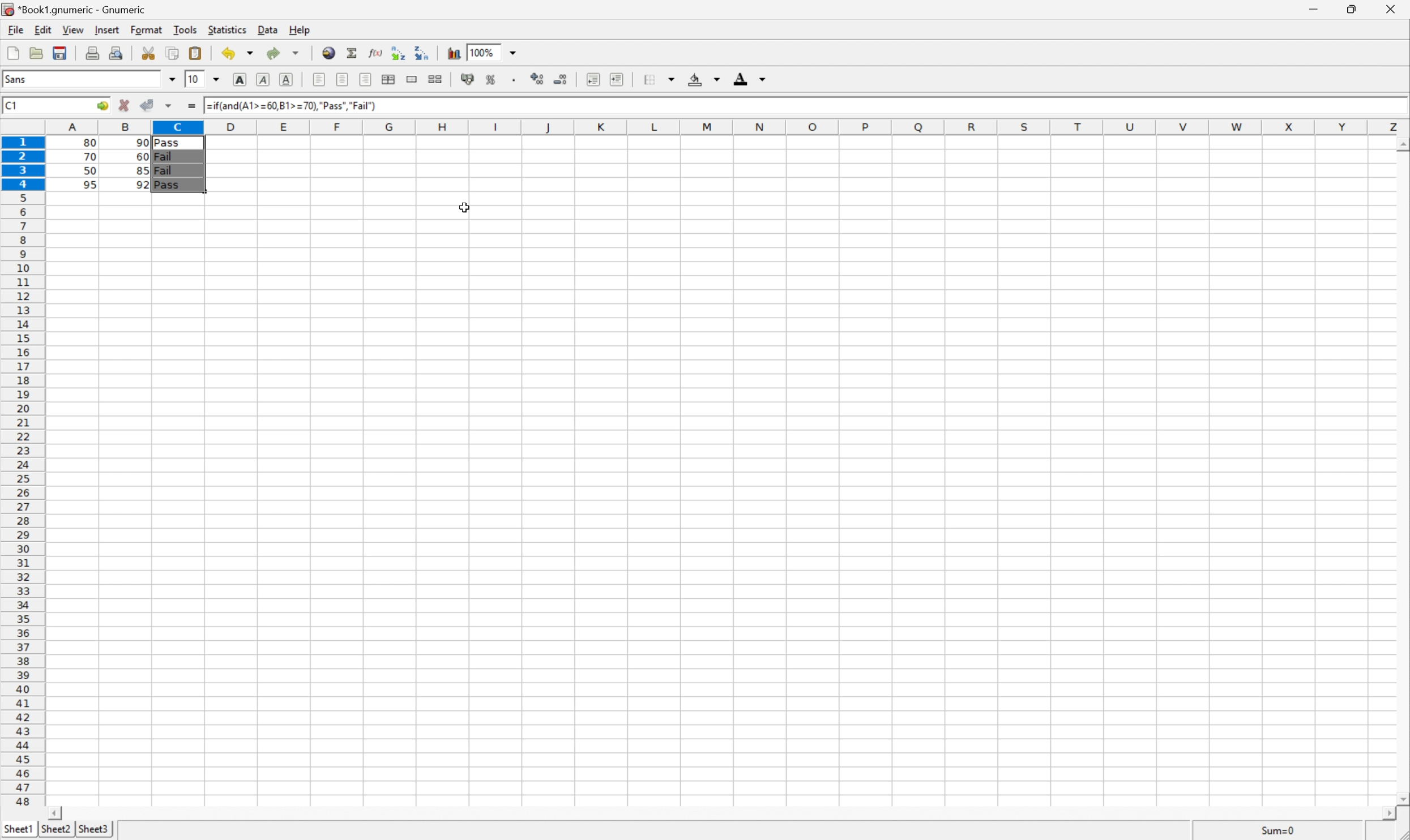 This screenshot has width=1410, height=840. What do you see at coordinates (318, 80) in the screenshot?
I see `Align Right` at bounding box center [318, 80].